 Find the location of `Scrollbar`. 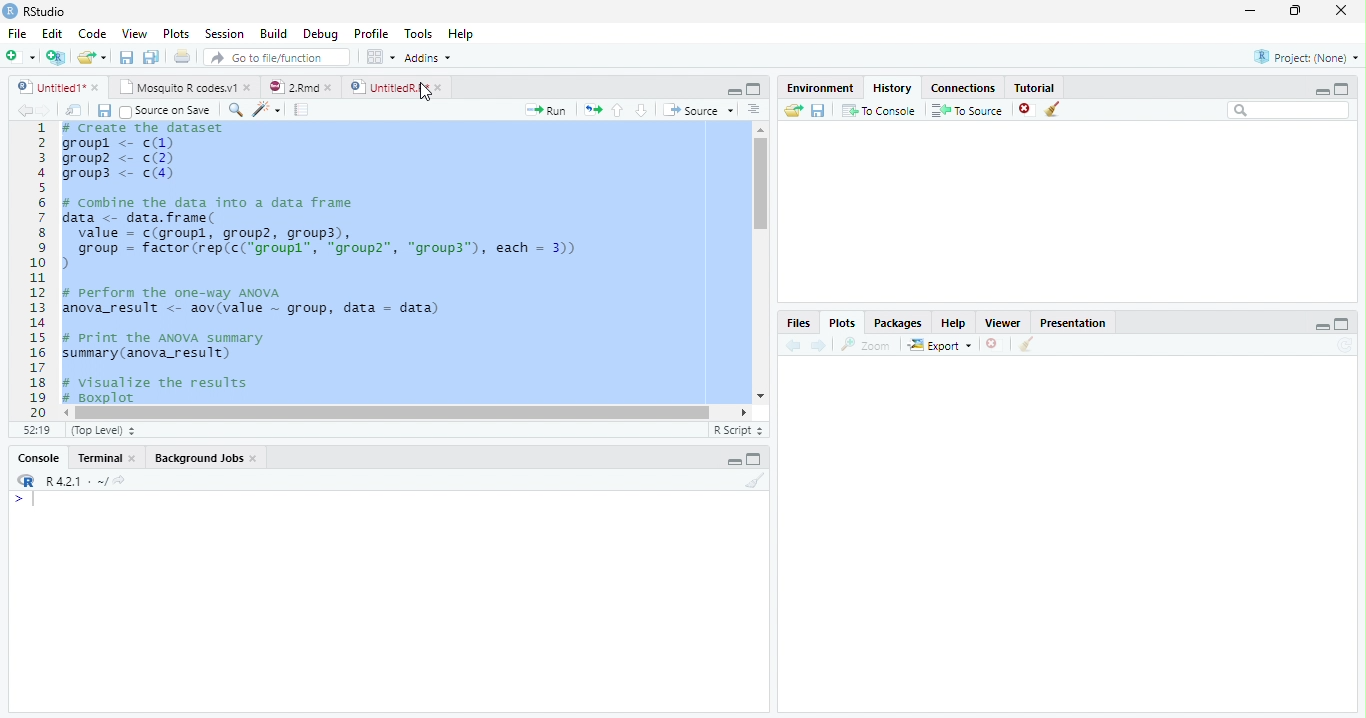

Scrollbar is located at coordinates (408, 411).